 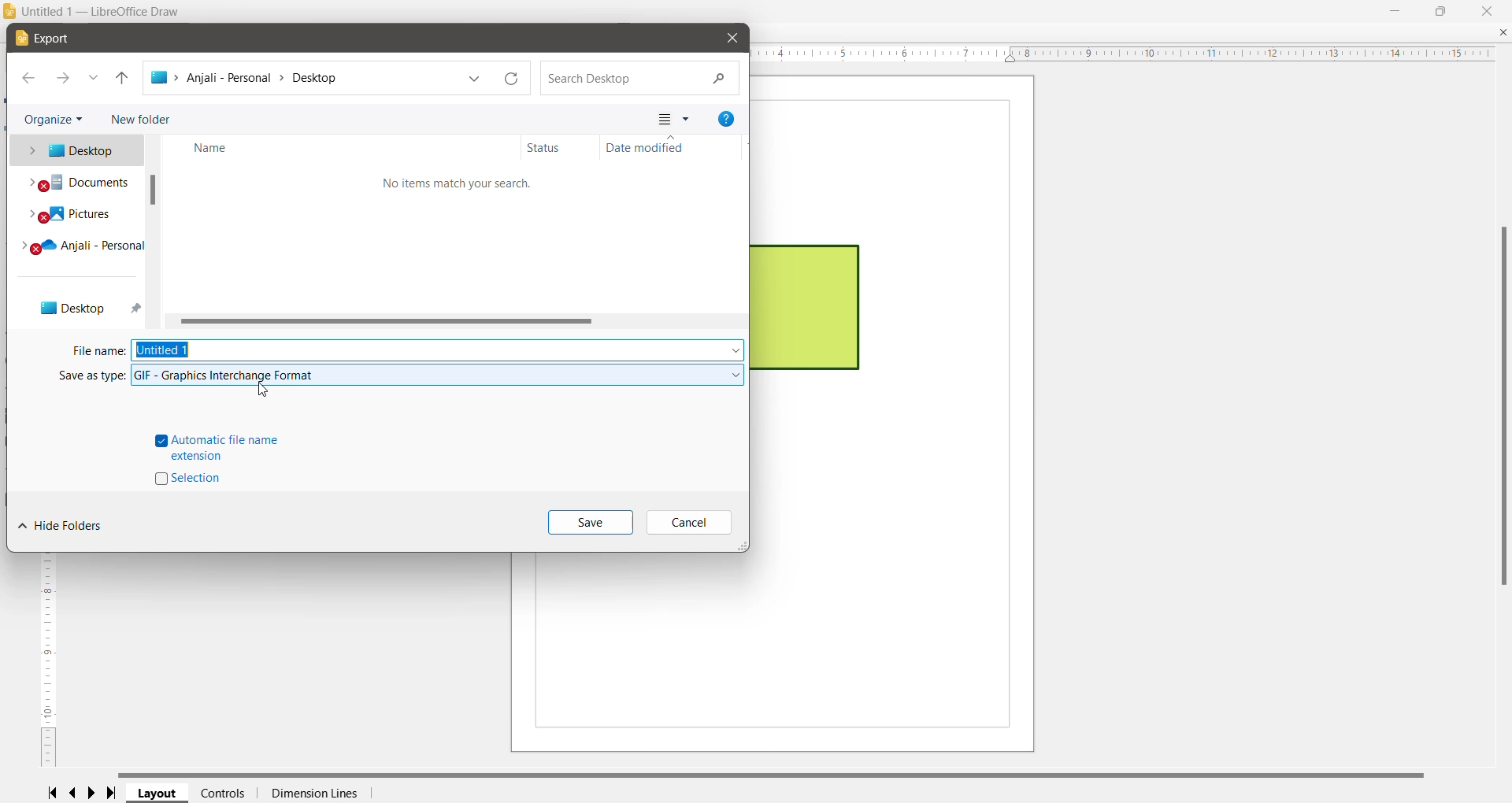 What do you see at coordinates (459, 320) in the screenshot?
I see `Horizontal Scroll Bar` at bounding box center [459, 320].